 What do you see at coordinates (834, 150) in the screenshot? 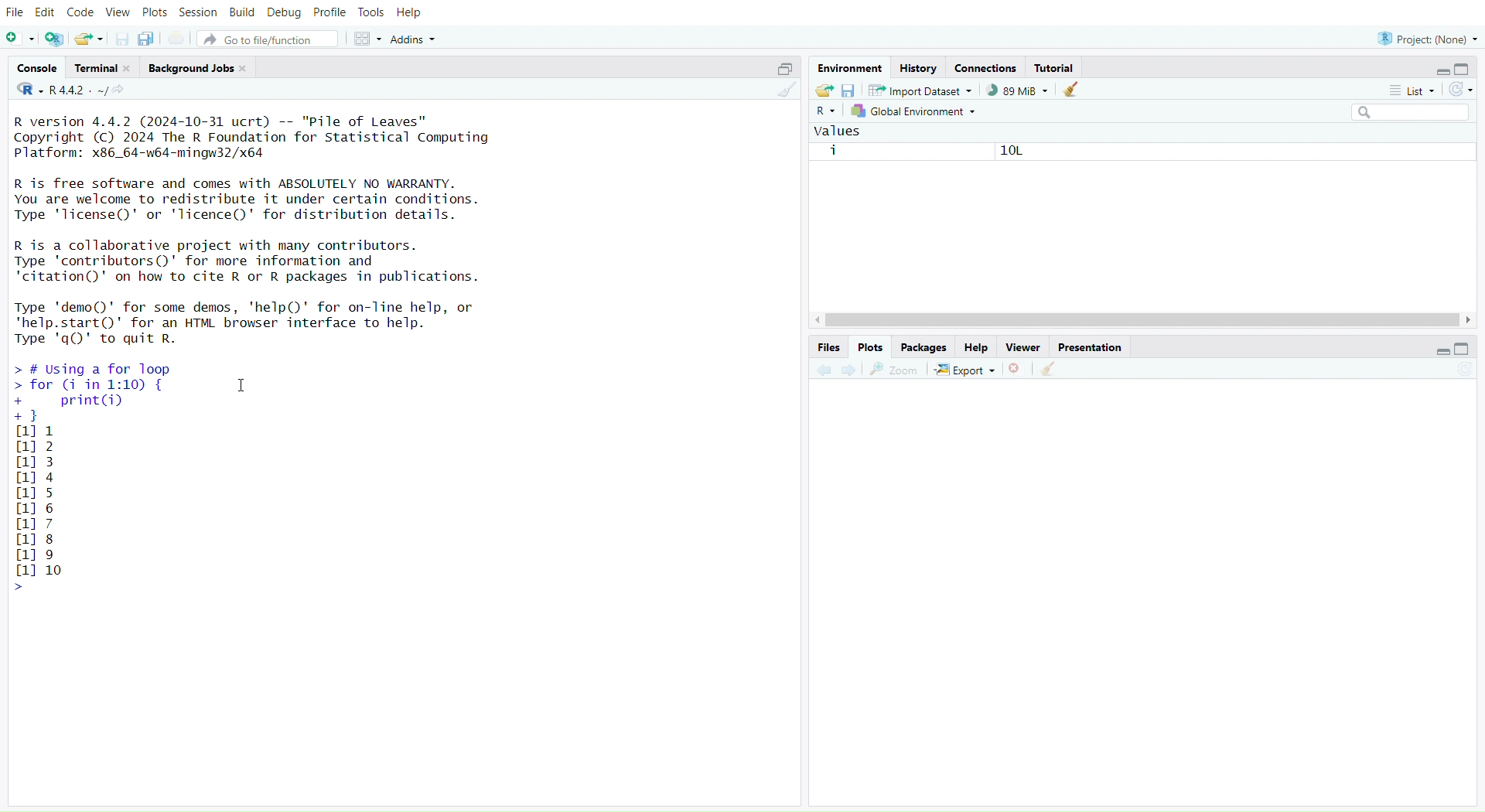
I see `i` at bounding box center [834, 150].